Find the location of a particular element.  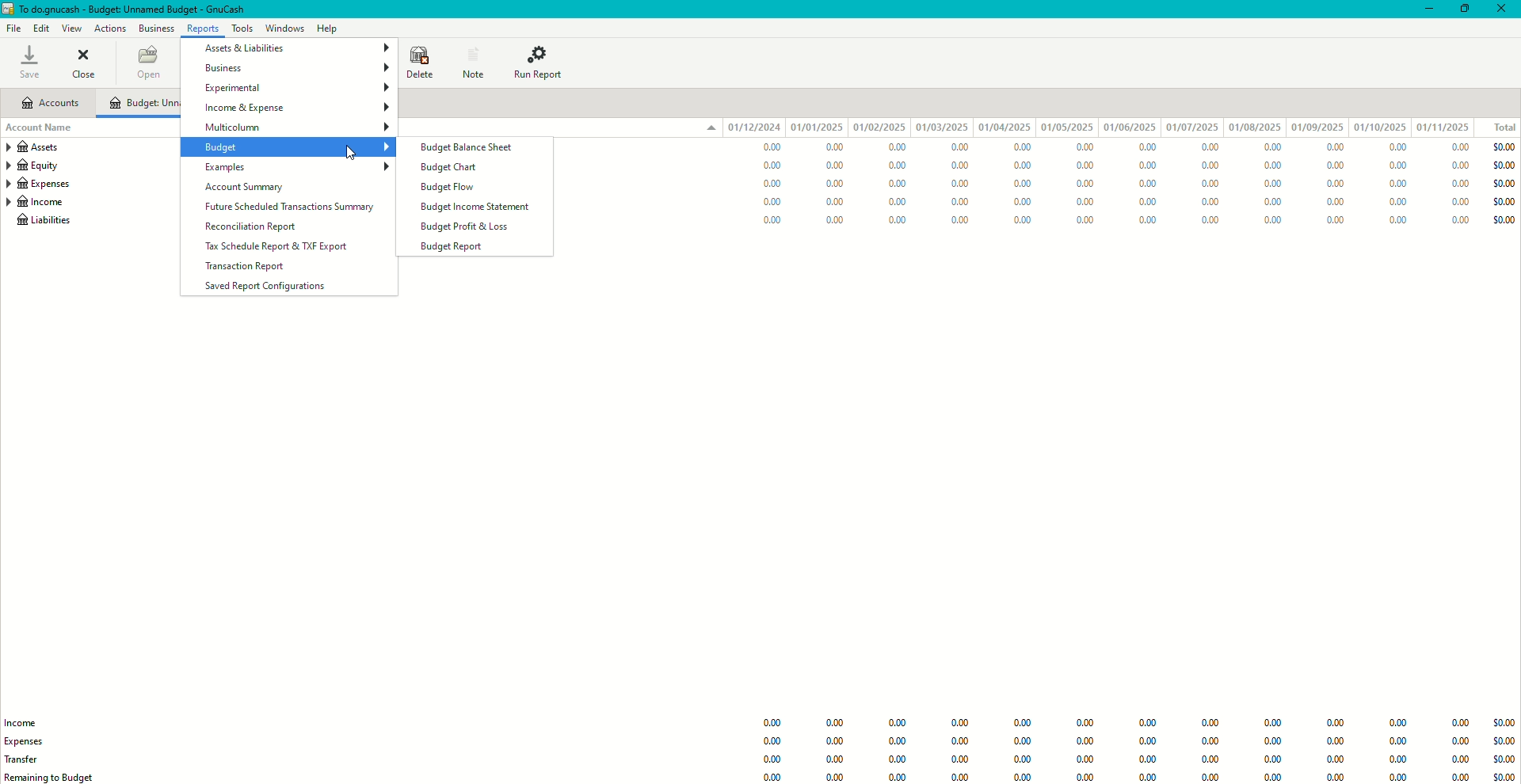

0.00 is located at coordinates (1336, 167).